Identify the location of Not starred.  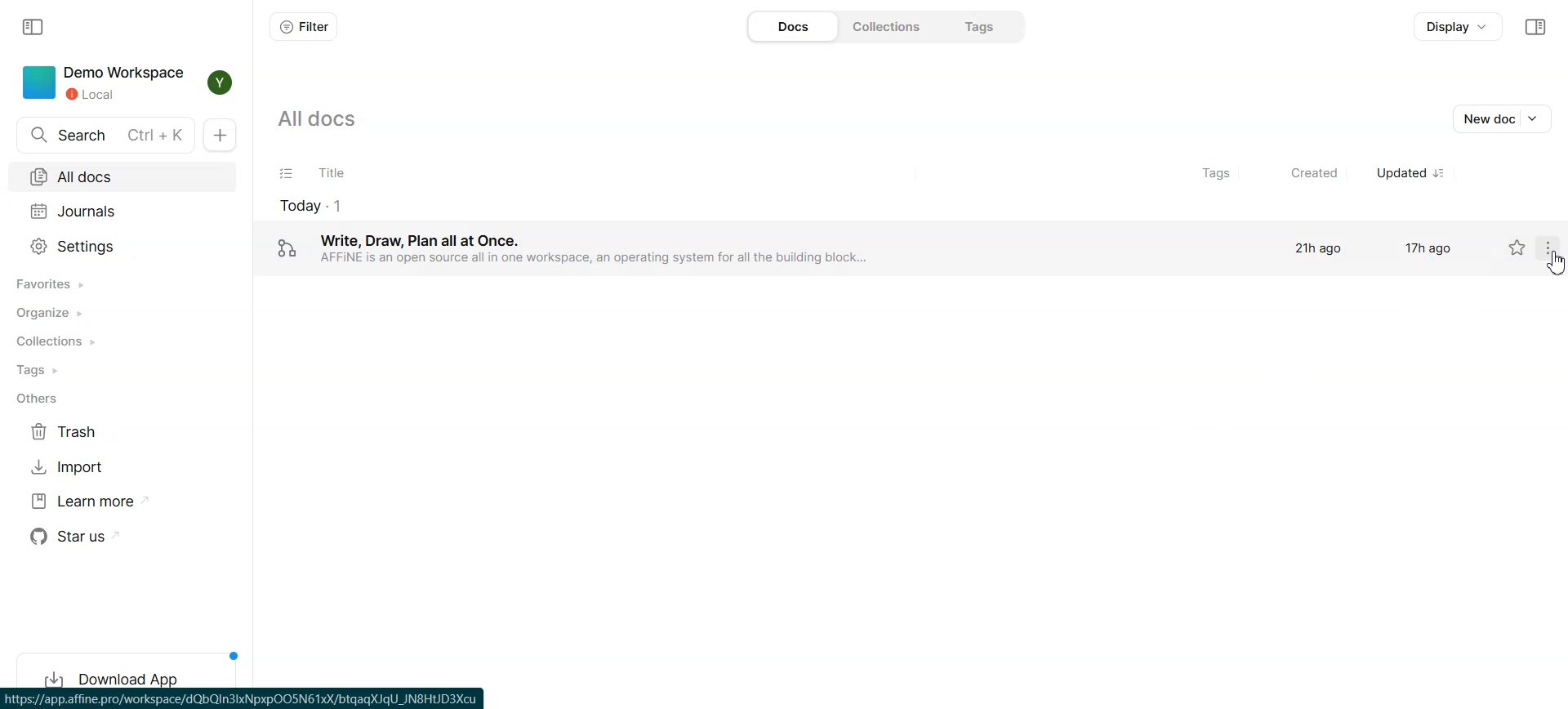
(1517, 247).